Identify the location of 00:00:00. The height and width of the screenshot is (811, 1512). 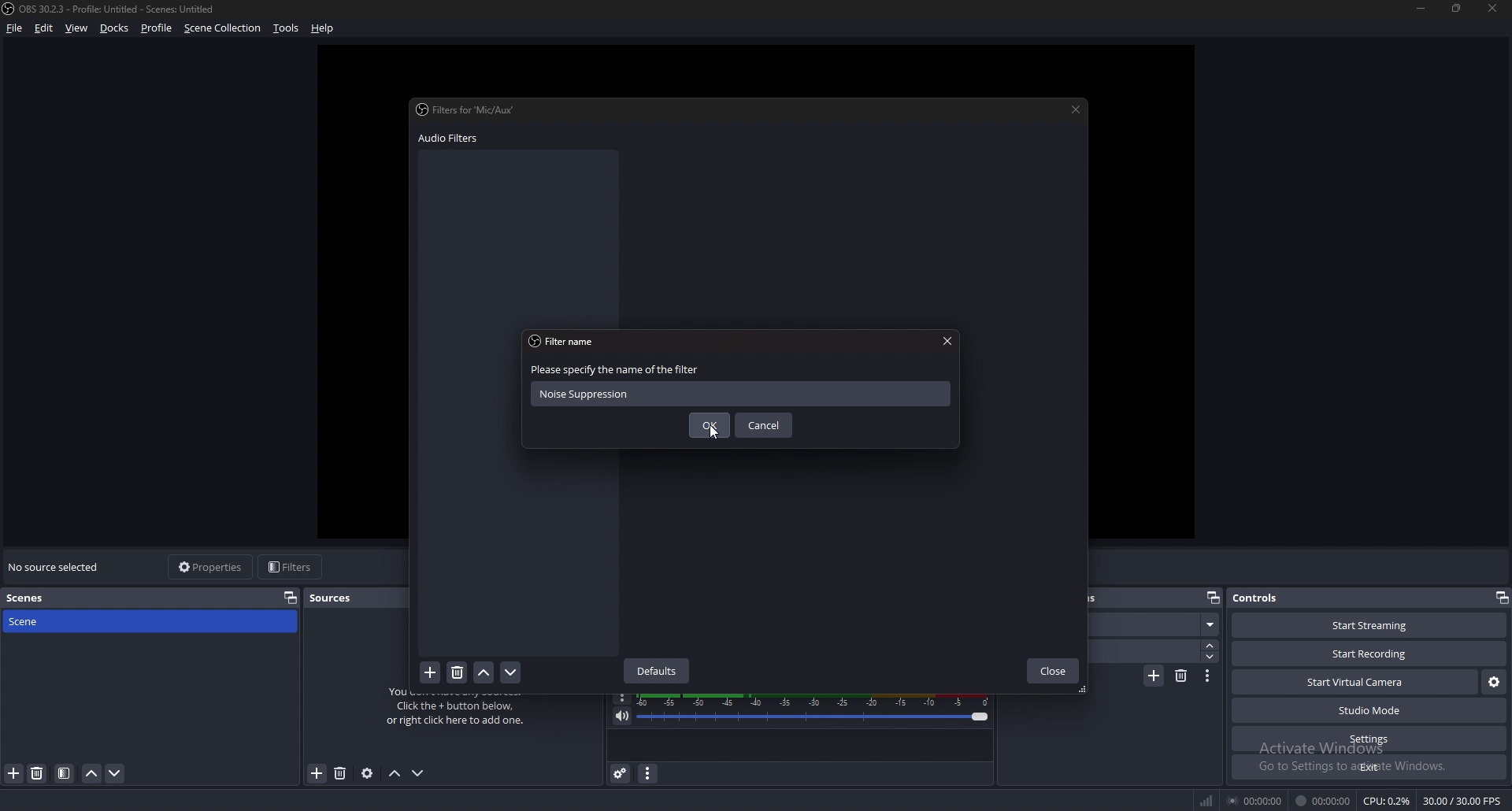
(1254, 799).